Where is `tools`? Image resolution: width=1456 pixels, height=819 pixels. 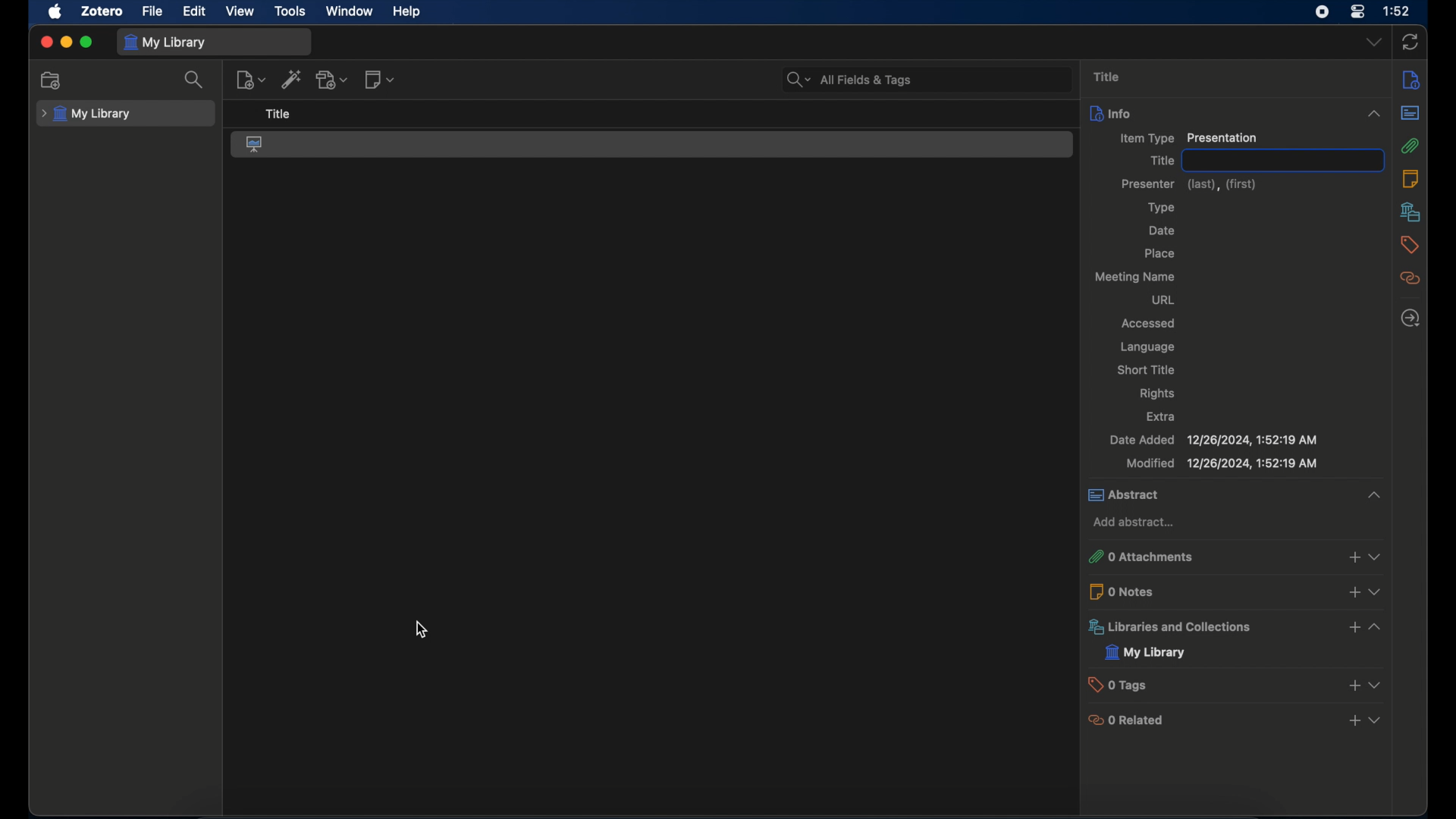 tools is located at coordinates (290, 11).